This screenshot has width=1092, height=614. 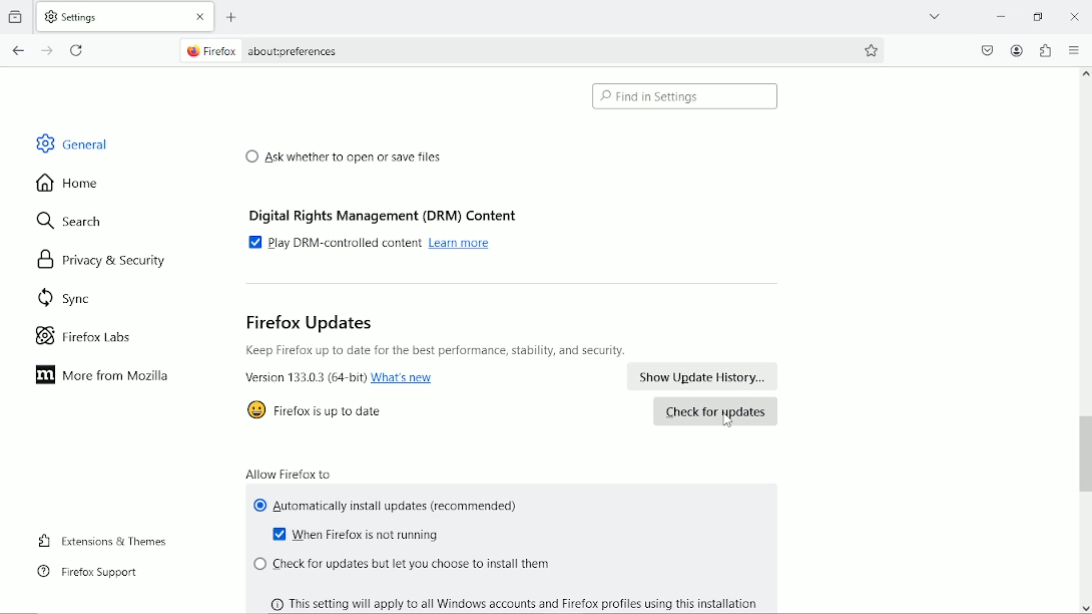 I want to click on sync, so click(x=63, y=300).